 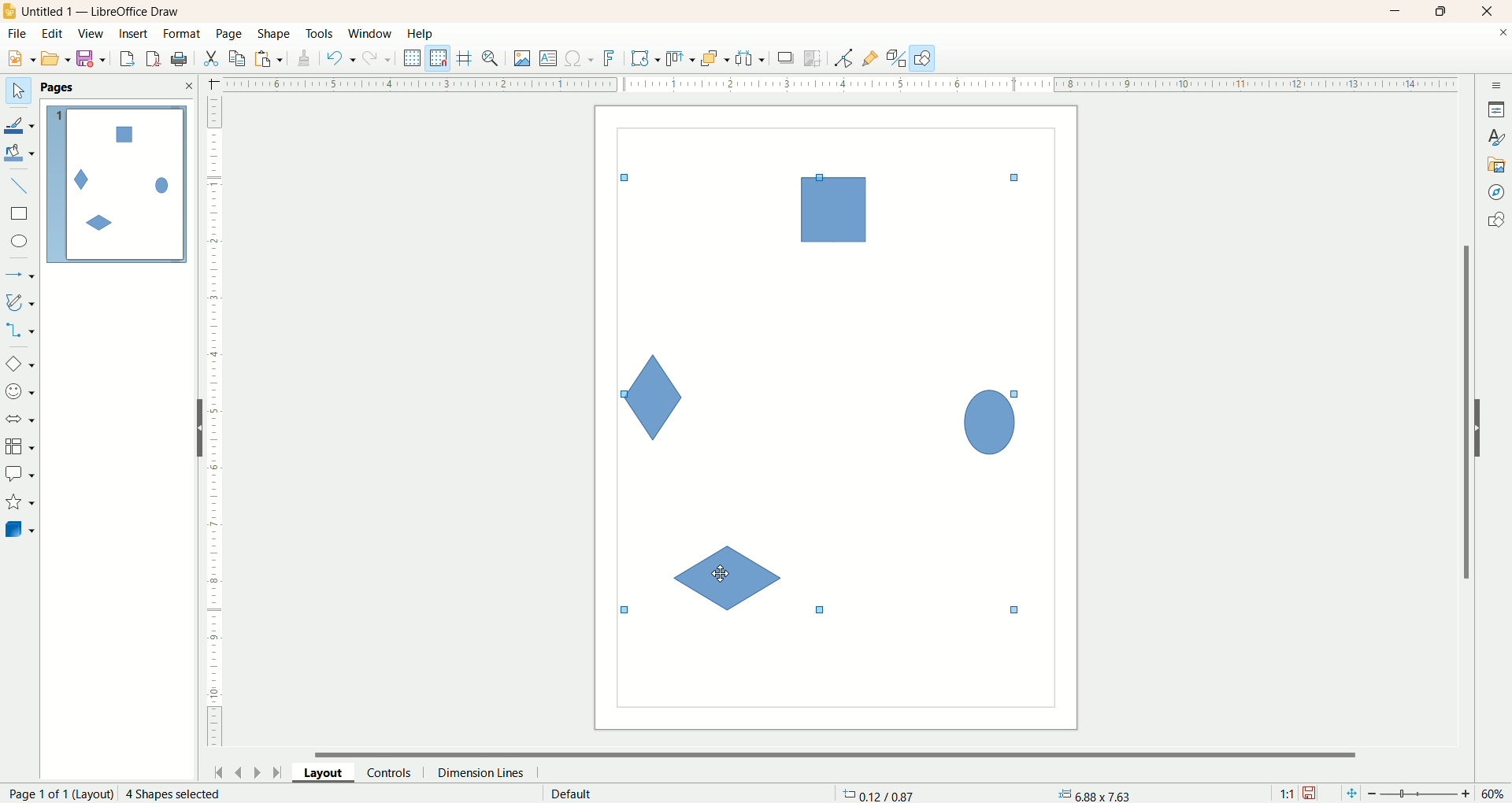 What do you see at coordinates (57, 794) in the screenshot?
I see `page number` at bounding box center [57, 794].